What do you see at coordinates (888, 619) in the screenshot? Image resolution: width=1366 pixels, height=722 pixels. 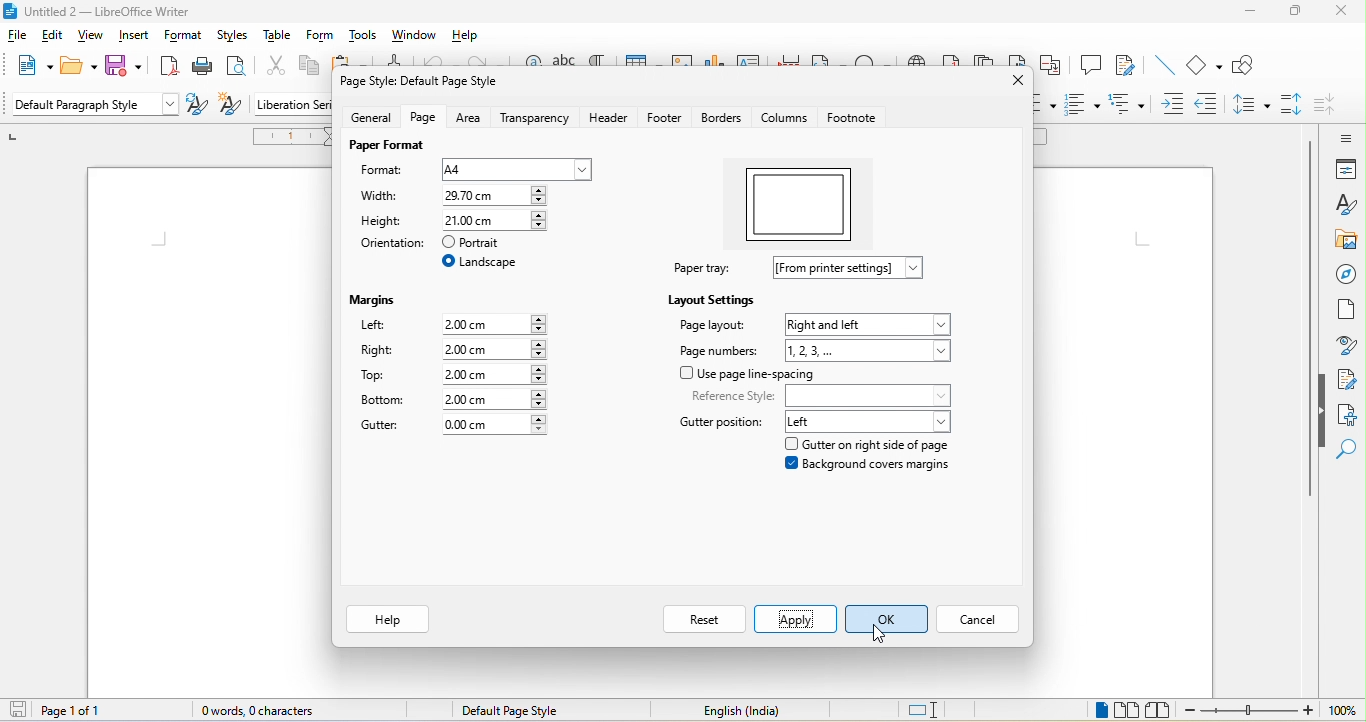 I see `select ok` at bounding box center [888, 619].